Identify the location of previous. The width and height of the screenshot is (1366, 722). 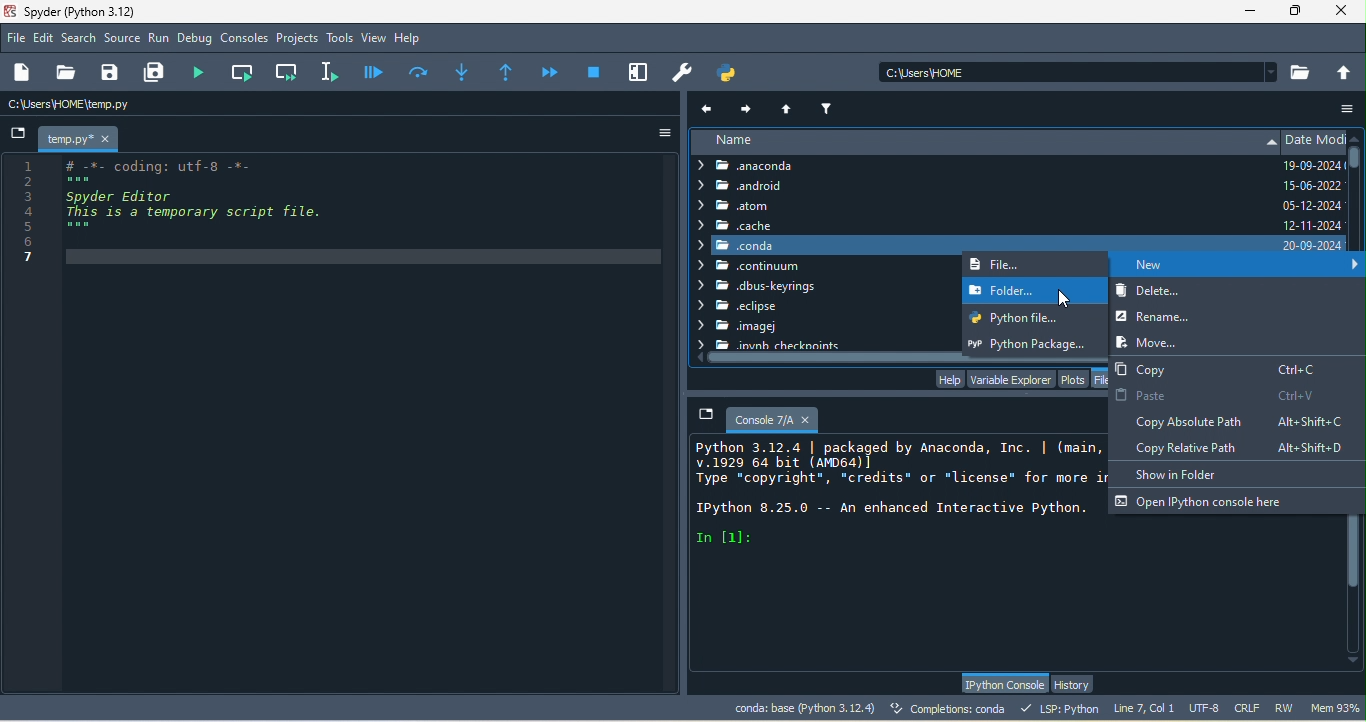
(709, 108).